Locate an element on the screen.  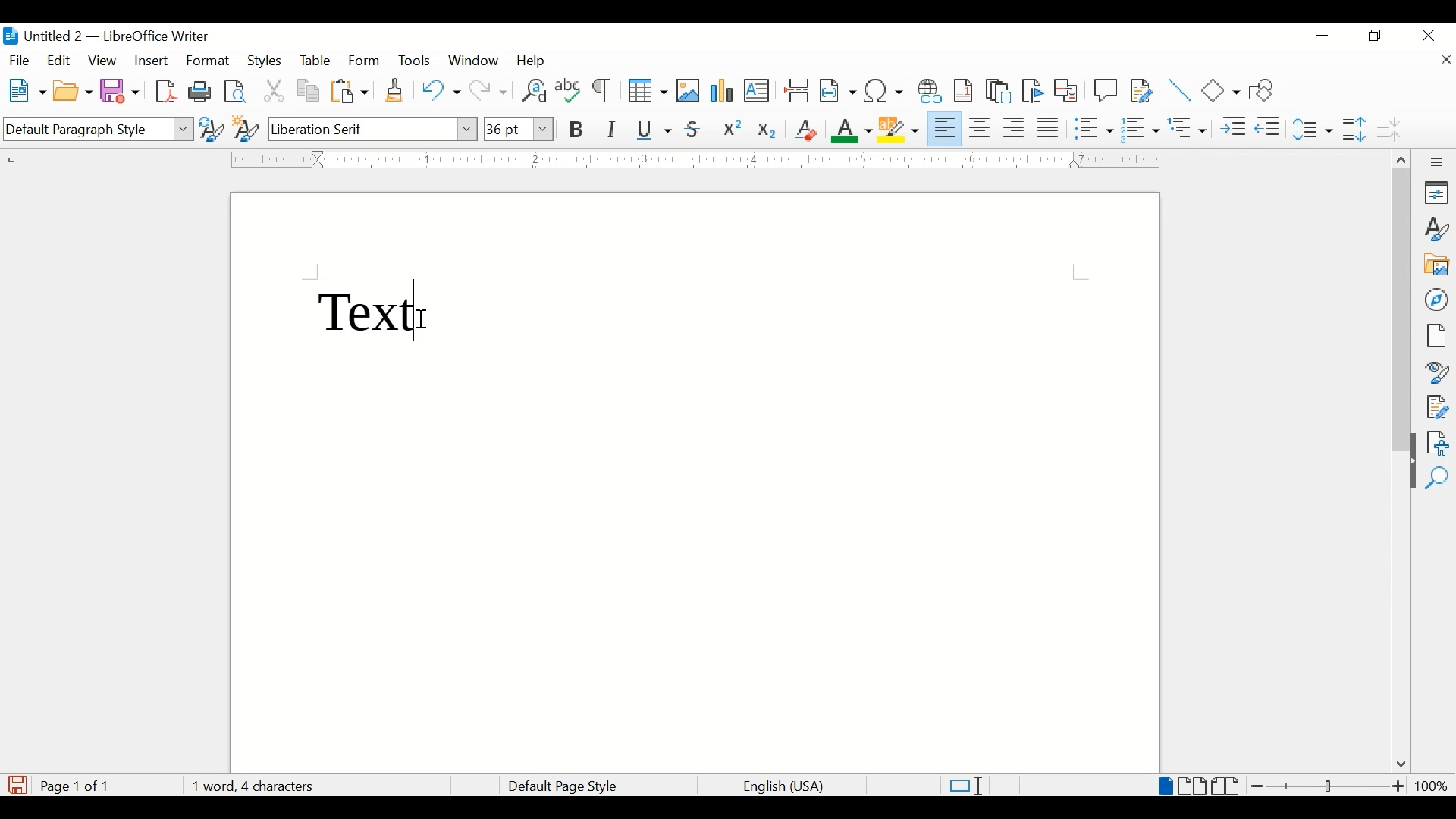
decrease indent is located at coordinates (1269, 128).